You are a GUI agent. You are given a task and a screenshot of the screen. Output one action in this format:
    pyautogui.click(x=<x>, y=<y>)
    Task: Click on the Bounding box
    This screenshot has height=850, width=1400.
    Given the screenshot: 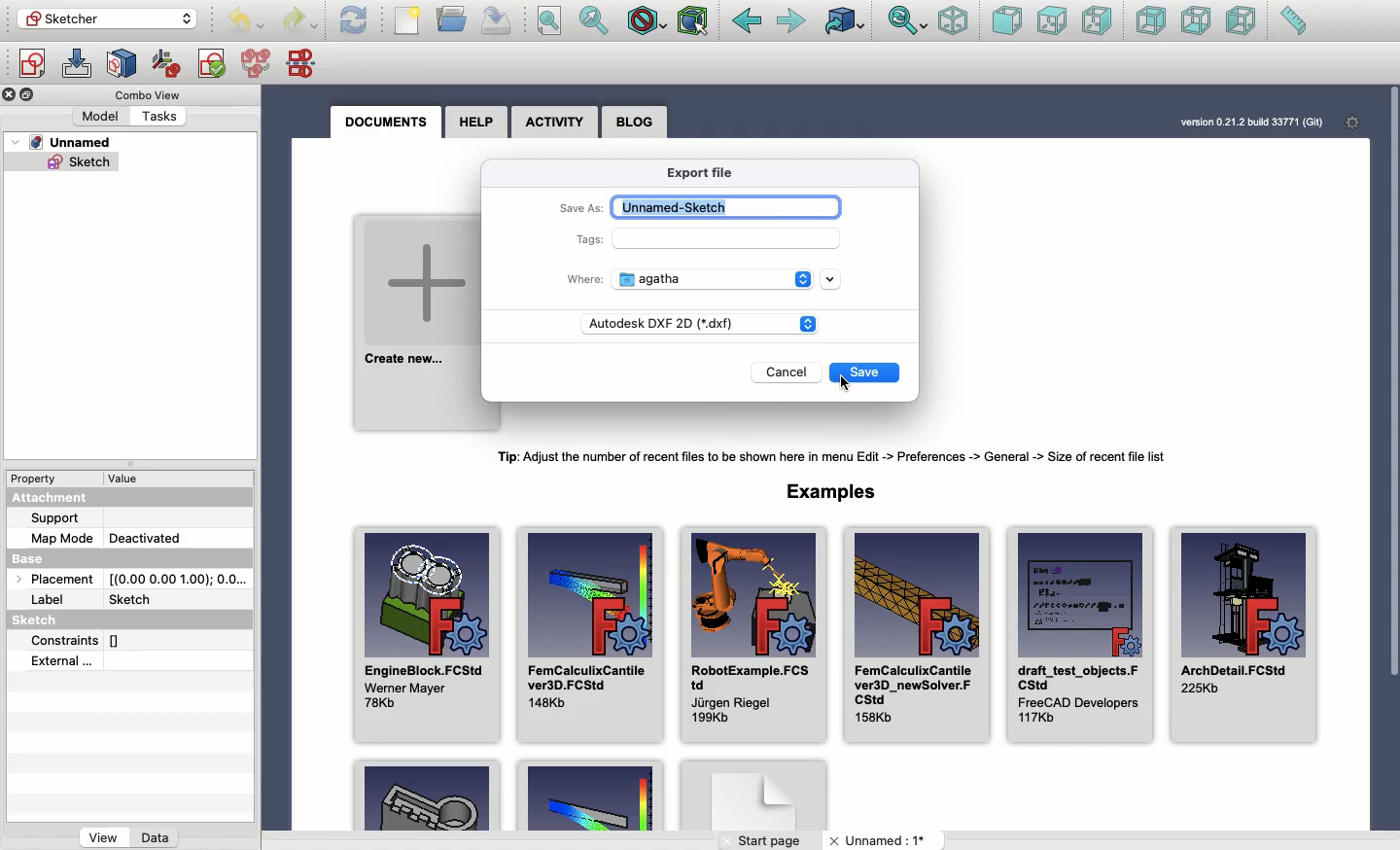 What is the action you would take?
    pyautogui.click(x=695, y=19)
    